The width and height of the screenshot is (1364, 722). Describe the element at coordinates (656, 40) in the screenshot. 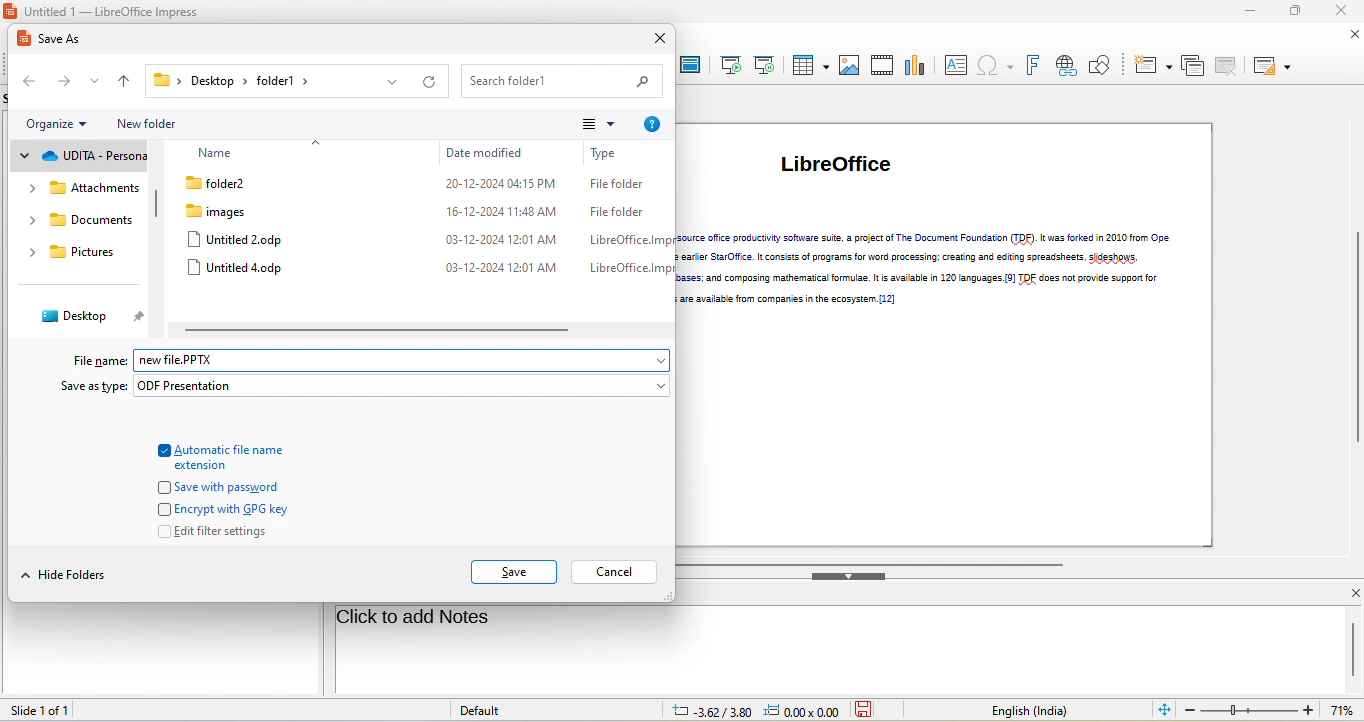

I see `close` at that location.